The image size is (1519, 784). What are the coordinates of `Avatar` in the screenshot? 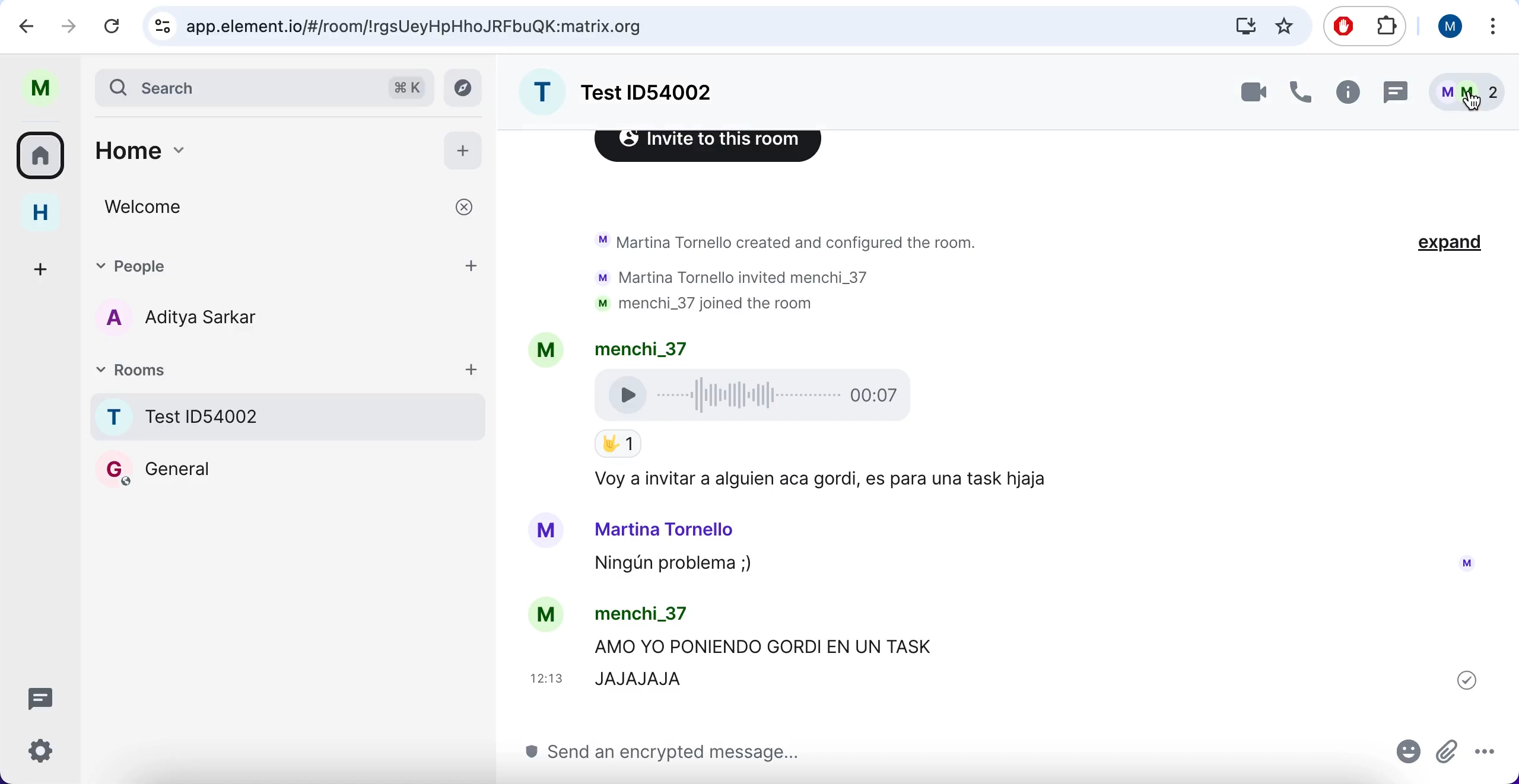 It's located at (1469, 563).